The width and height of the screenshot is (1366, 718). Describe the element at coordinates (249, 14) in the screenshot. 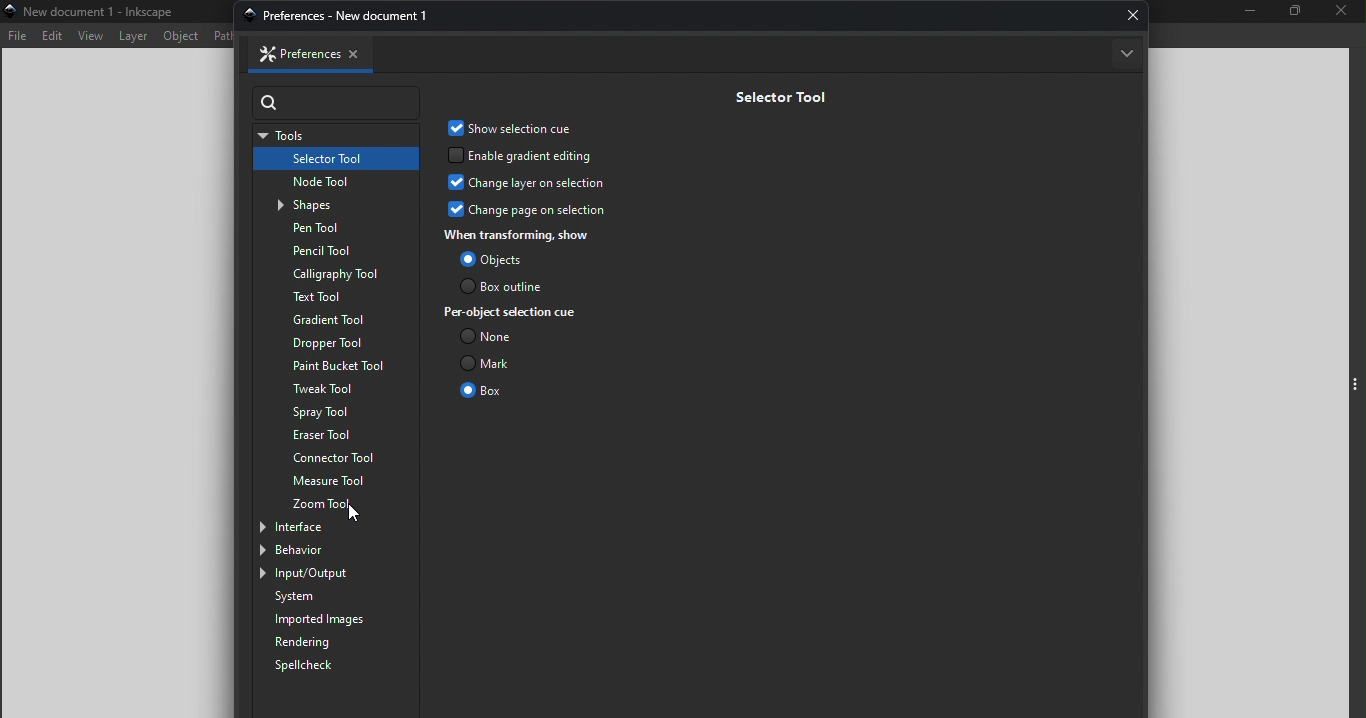

I see `app icon` at that location.